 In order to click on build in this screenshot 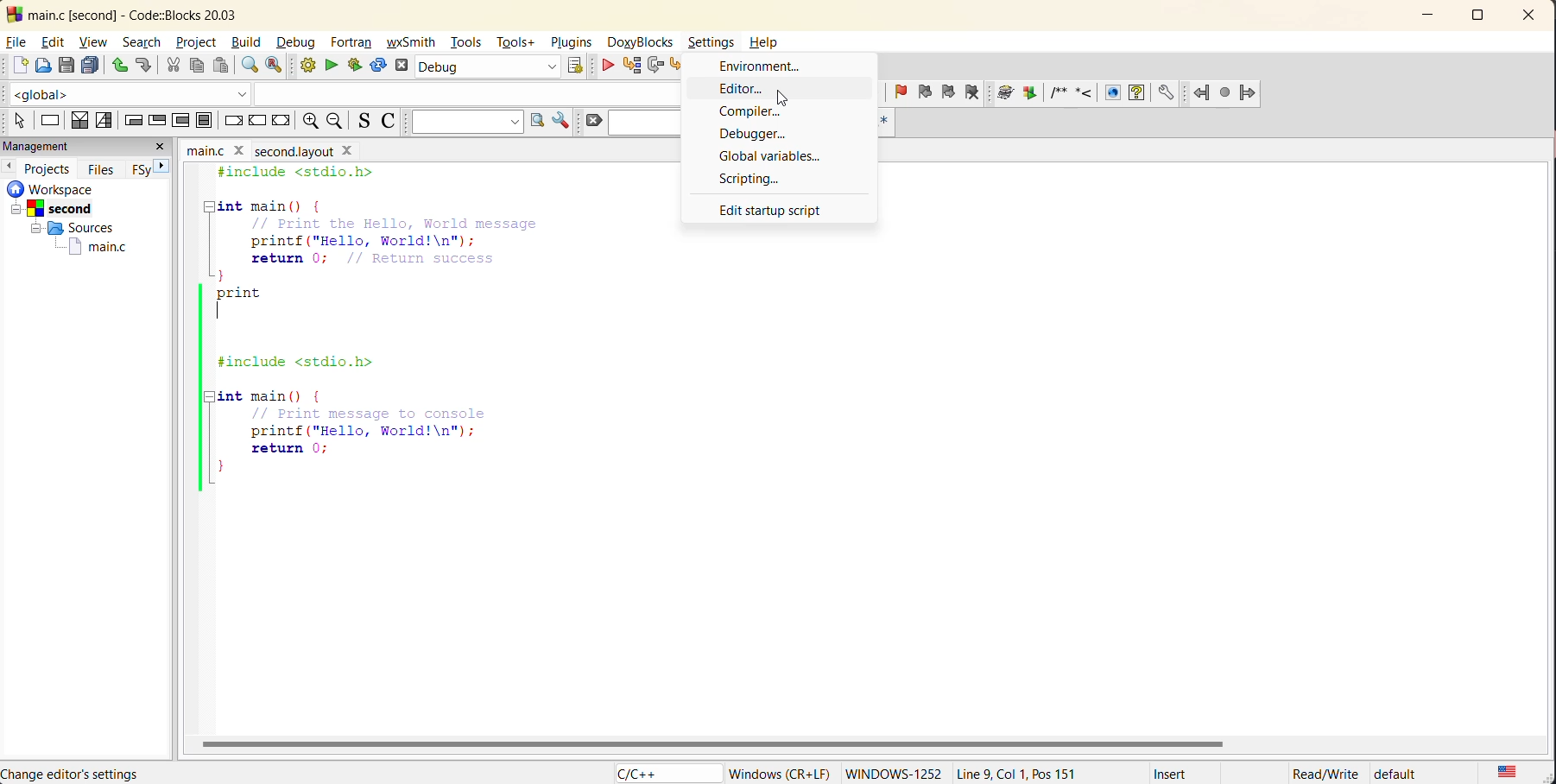, I will do `click(249, 42)`.